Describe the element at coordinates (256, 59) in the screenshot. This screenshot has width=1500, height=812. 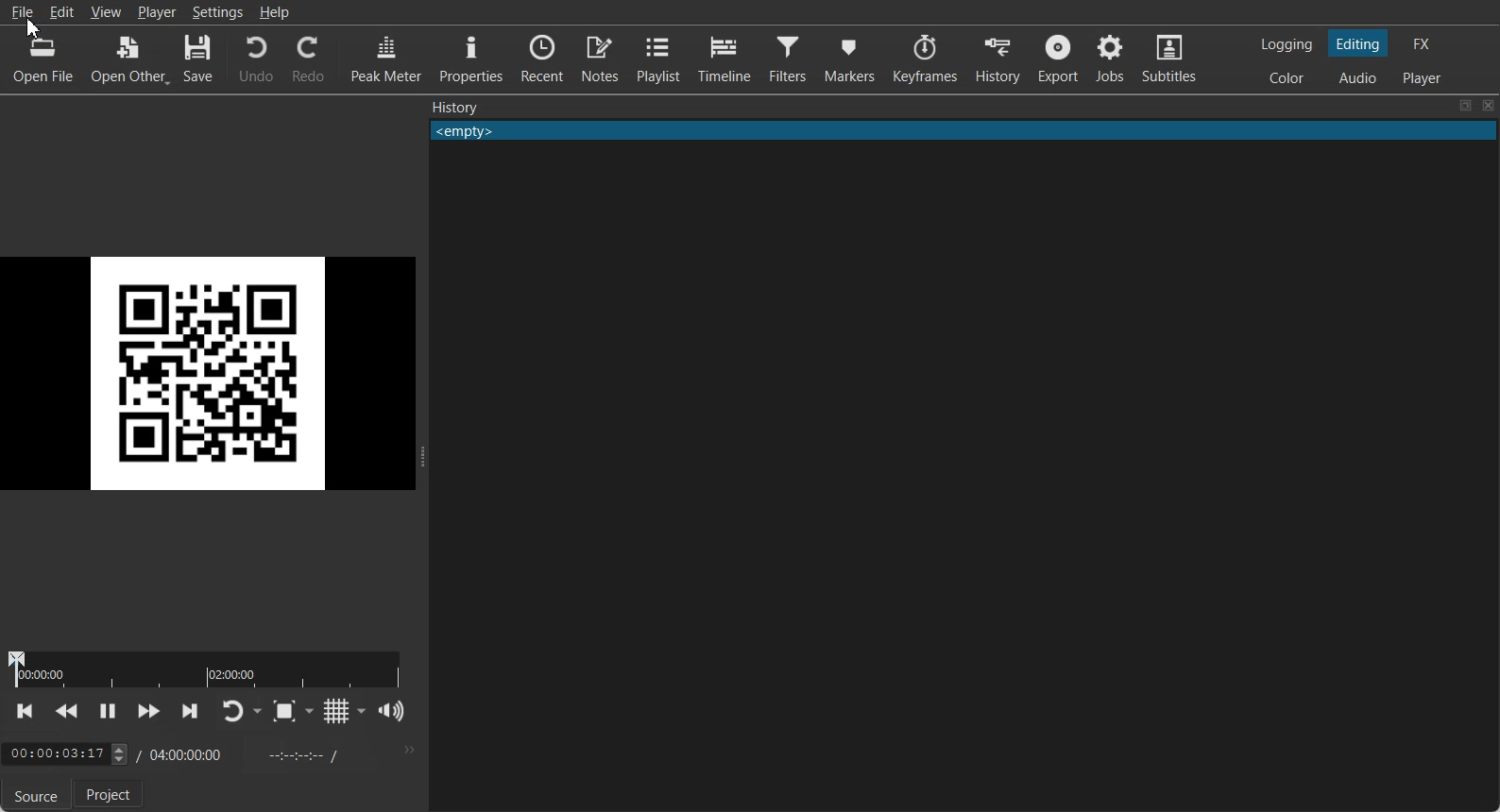
I see `Undo` at that location.